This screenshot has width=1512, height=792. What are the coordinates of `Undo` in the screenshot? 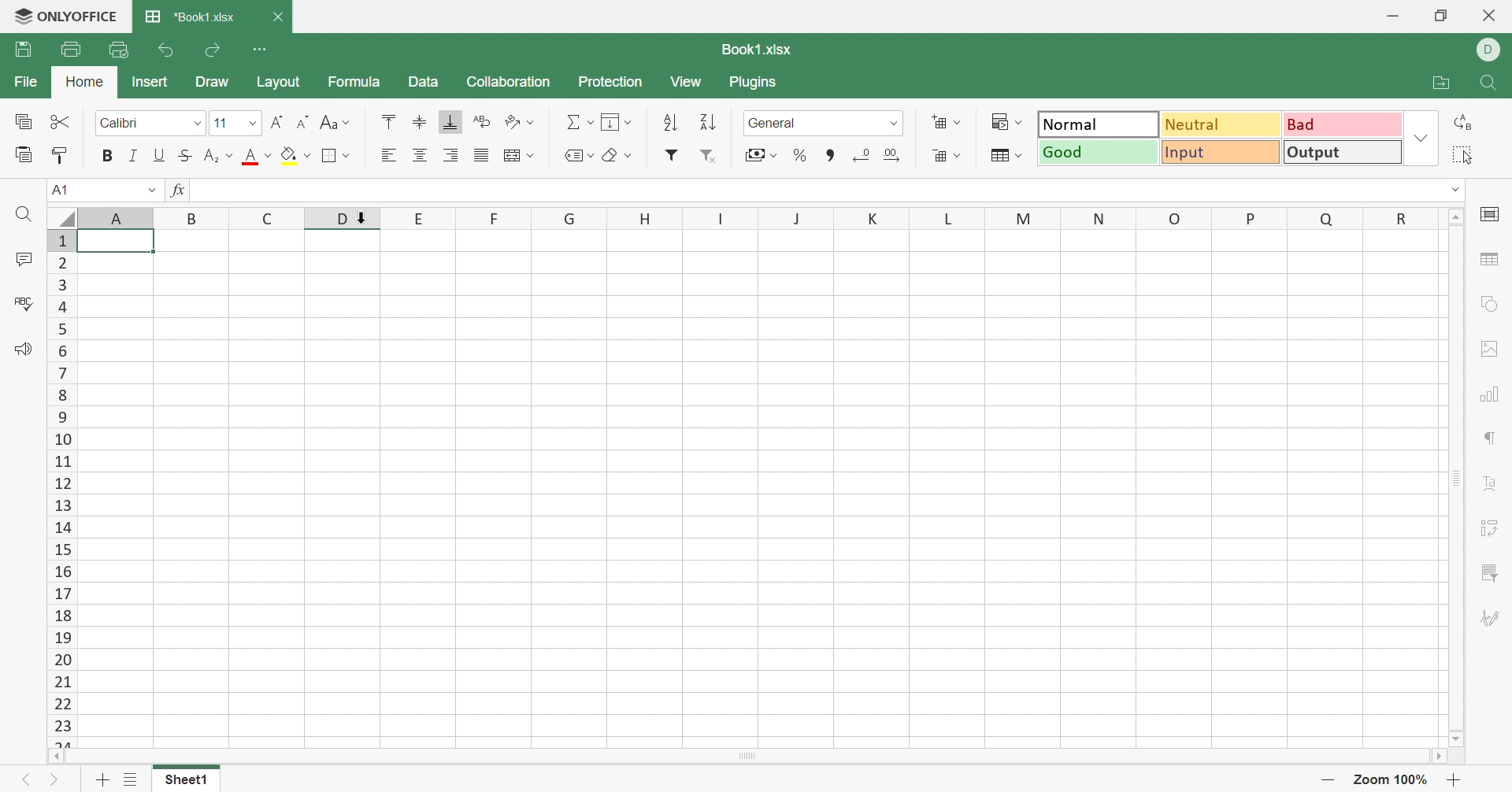 It's located at (169, 50).